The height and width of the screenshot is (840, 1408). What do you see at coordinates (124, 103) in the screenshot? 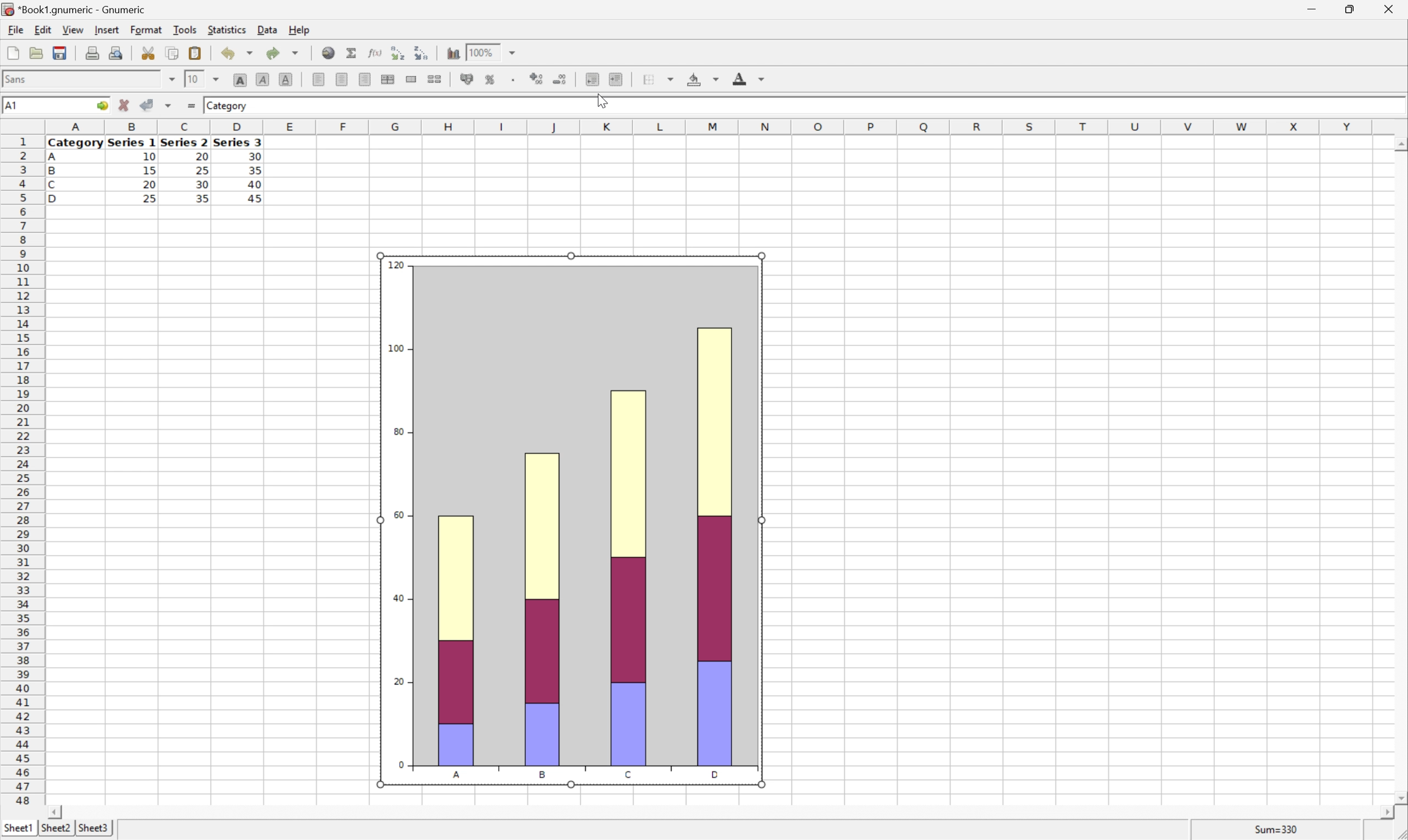
I see `Cancel changes` at bounding box center [124, 103].